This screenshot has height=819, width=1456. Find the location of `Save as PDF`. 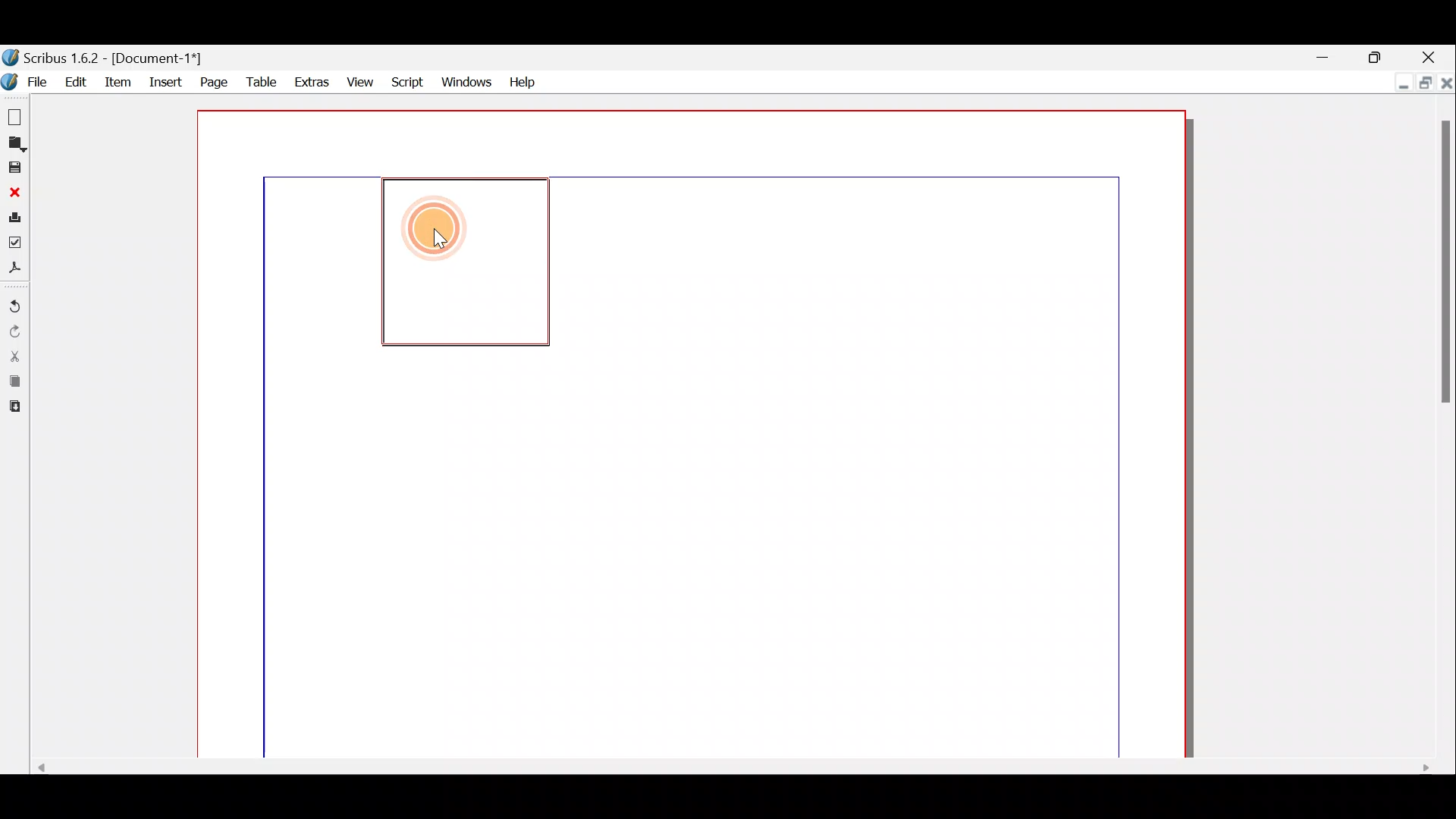

Save as PDF is located at coordinates (14, 270).